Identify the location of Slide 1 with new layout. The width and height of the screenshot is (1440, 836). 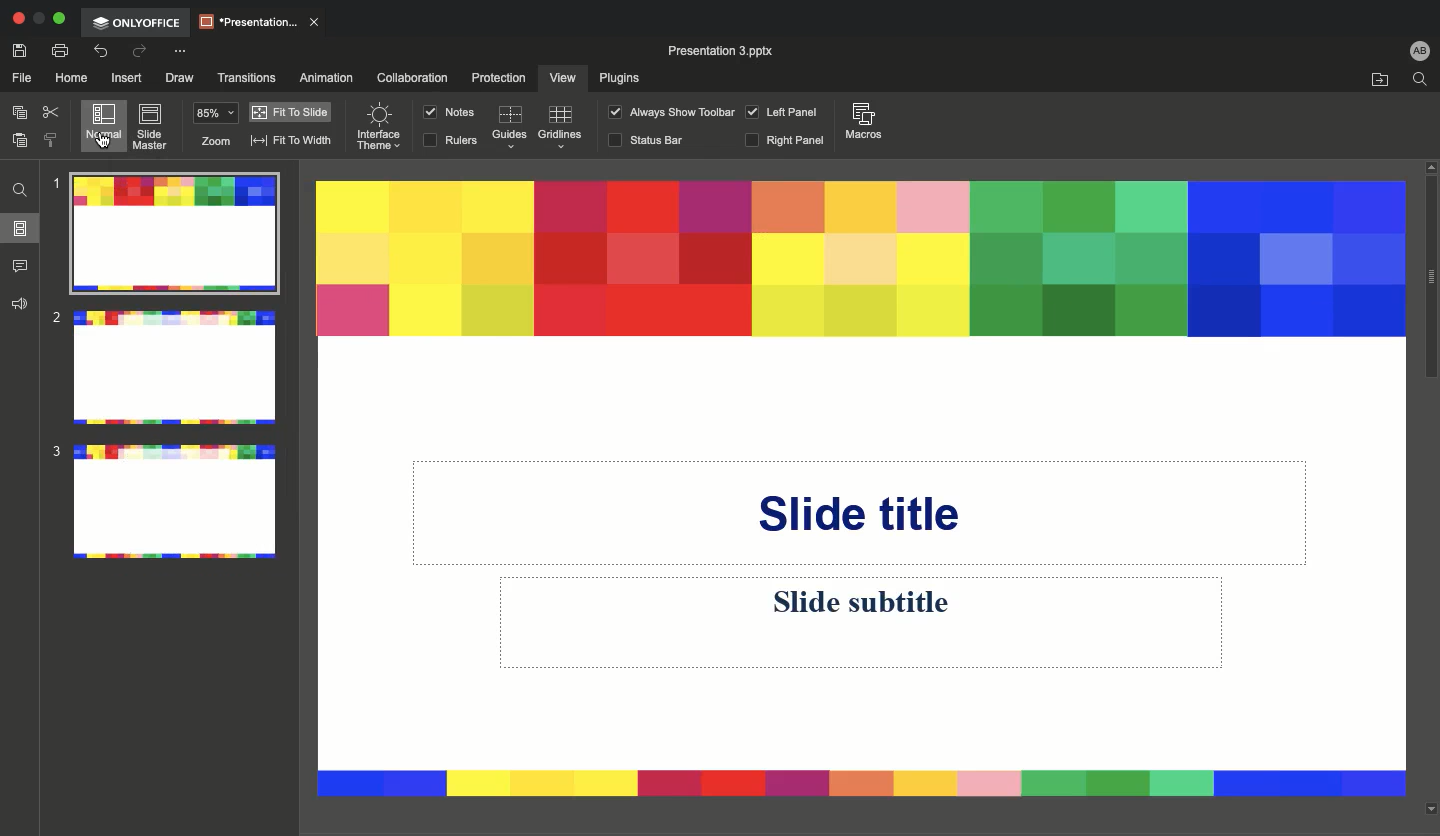
(170, 232).